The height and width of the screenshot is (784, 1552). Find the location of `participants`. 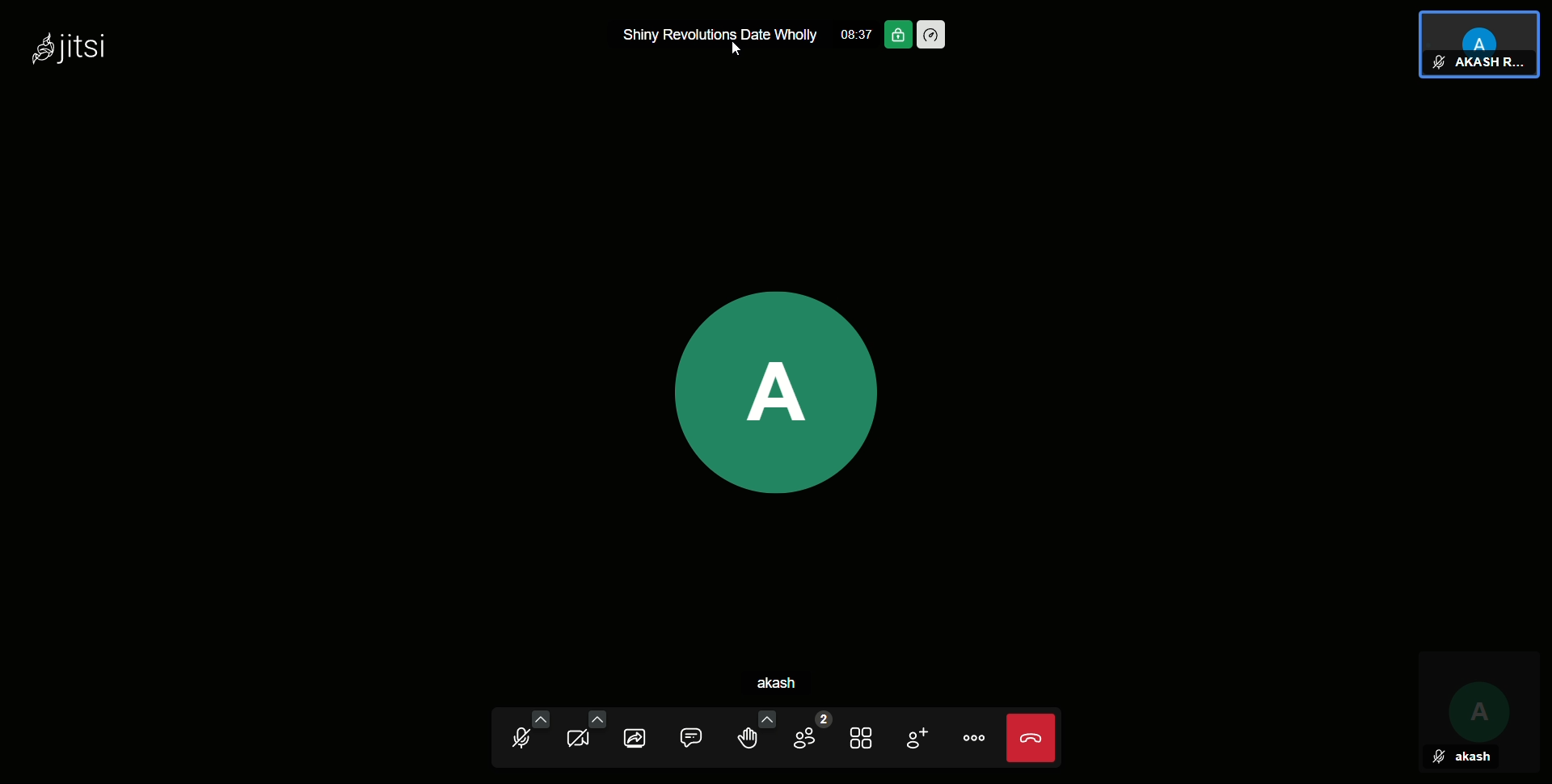

participants is located at coordinates (808, 735).